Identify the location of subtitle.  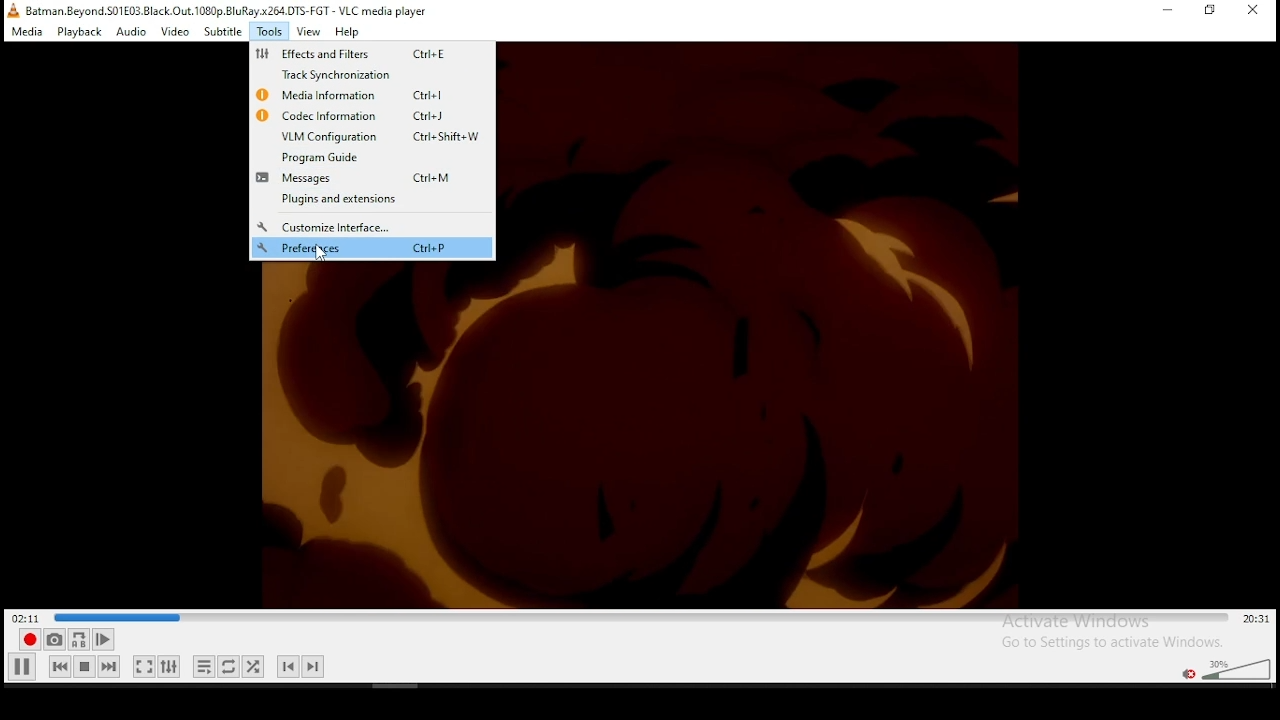
(221, 32).